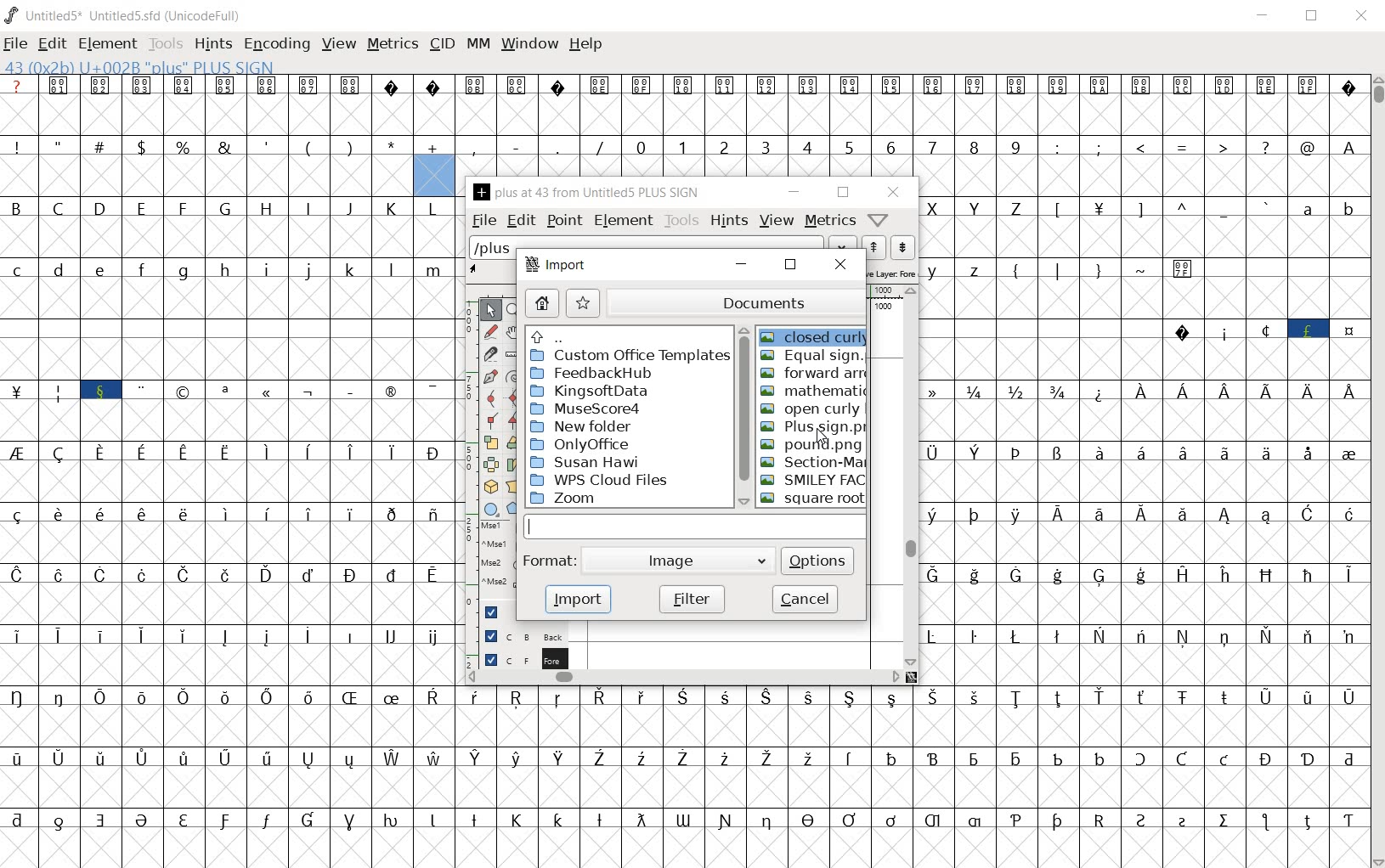  I want to click on T, so click(1100, 228).